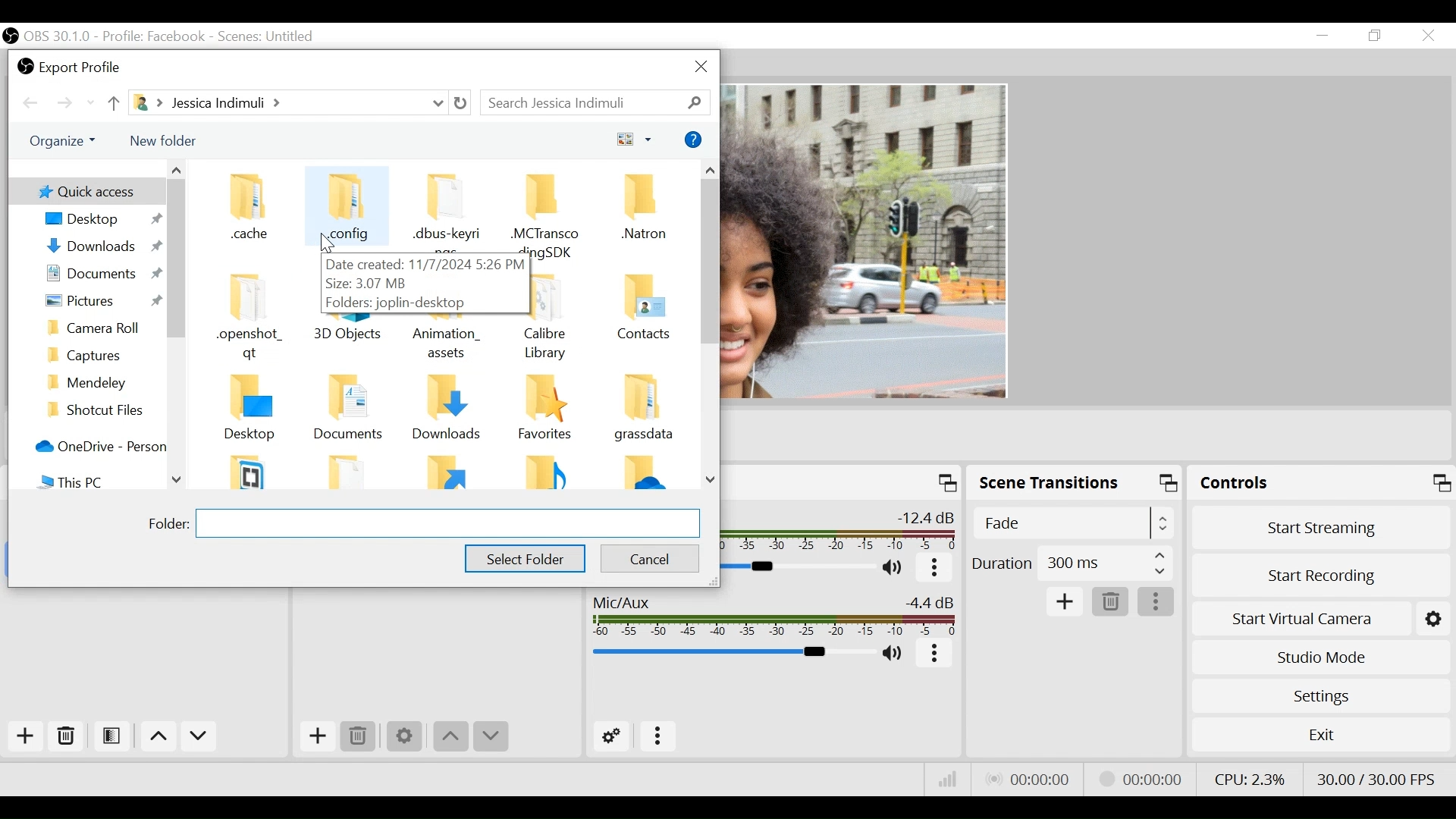  What do you see at coordinates (711, 480) in the screenshot?
I see `Scroll Down` at bounding box center [711, 480].